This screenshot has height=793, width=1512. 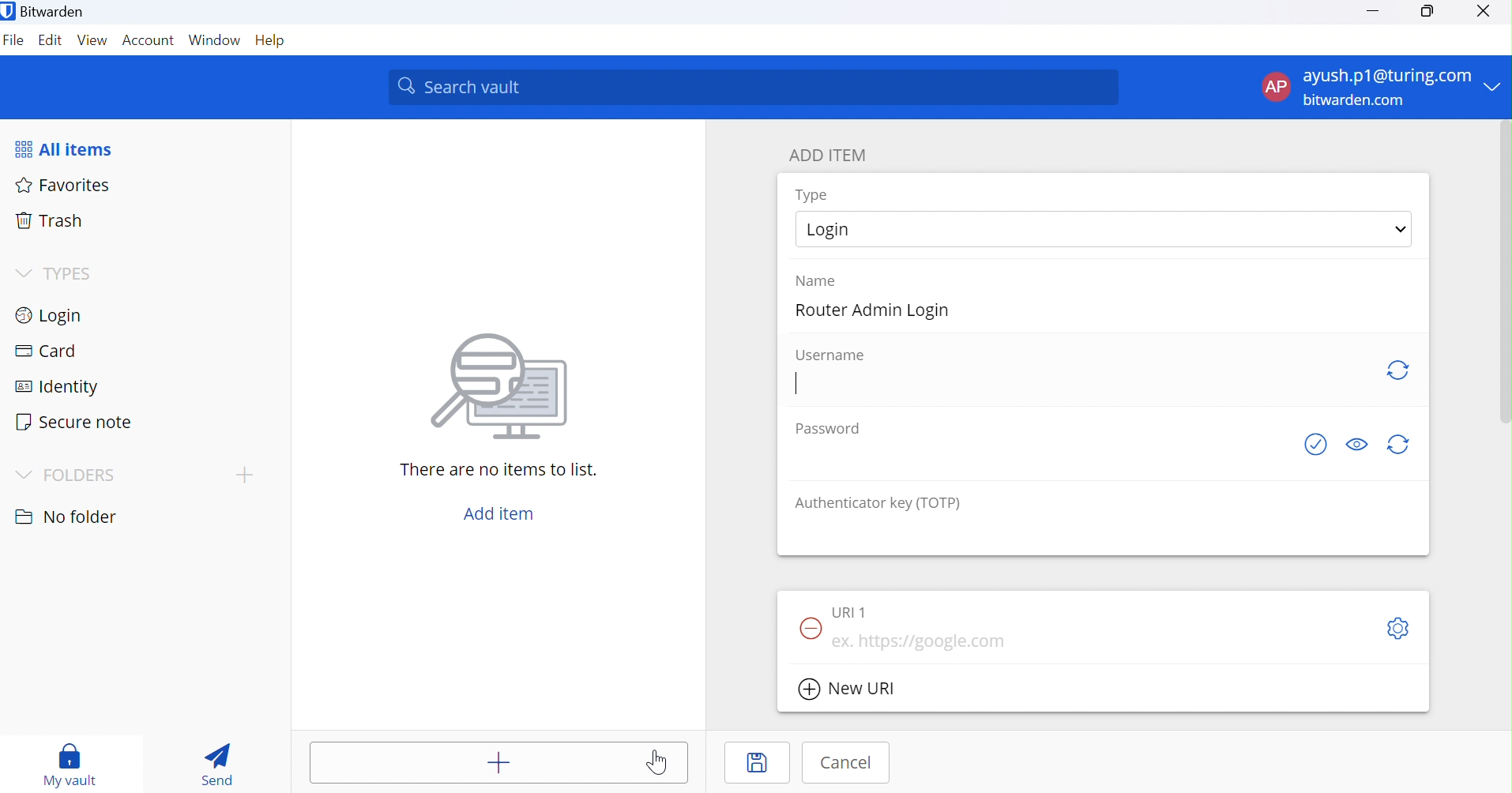 What do you see at coordinates (1401, 446) in the screenshot?
I see `Regenerate password` at bounding box center [1401, 446].